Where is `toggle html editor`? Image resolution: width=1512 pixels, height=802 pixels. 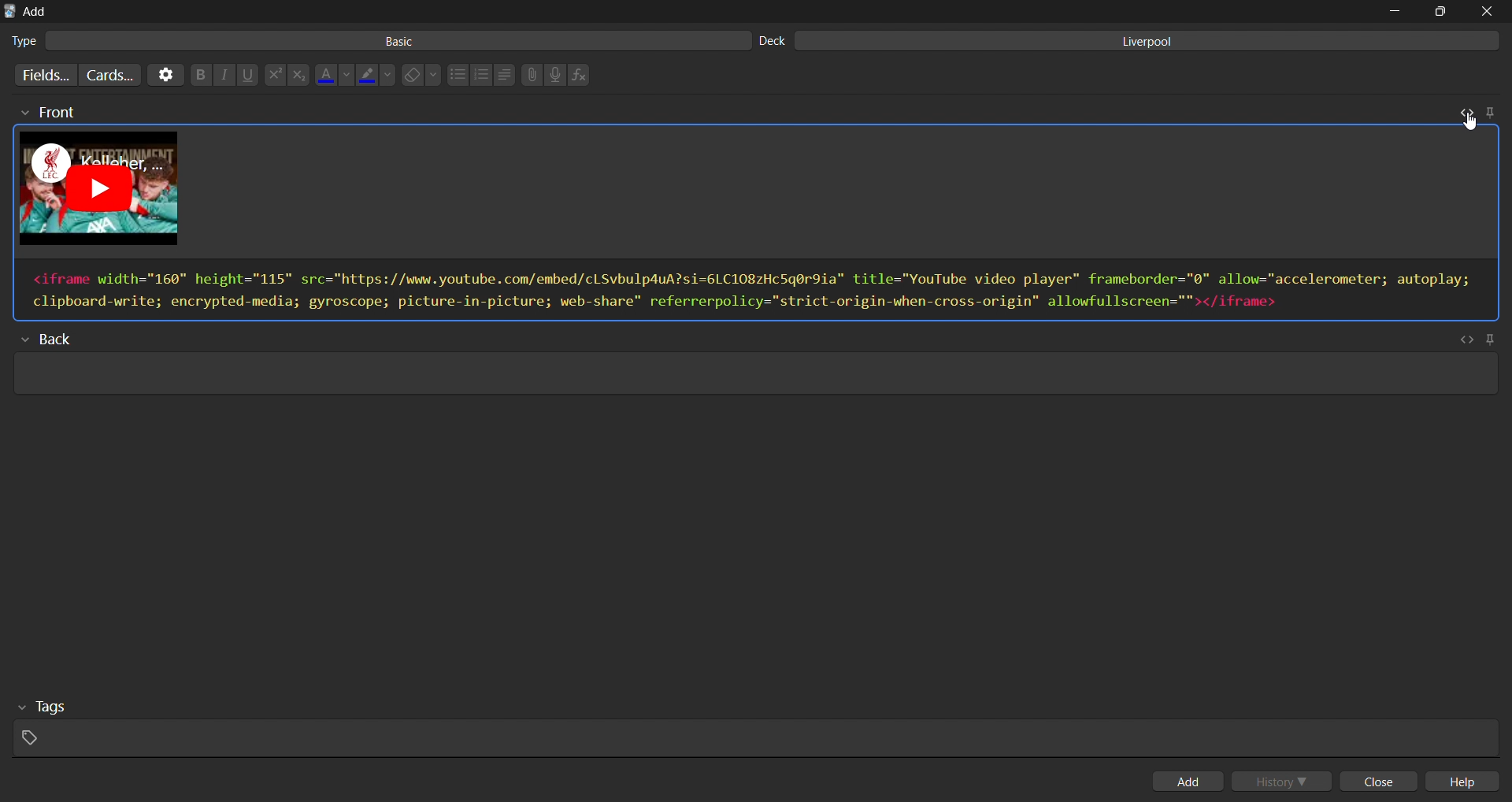 toggle html editor is located at coordinates (1465, 339).